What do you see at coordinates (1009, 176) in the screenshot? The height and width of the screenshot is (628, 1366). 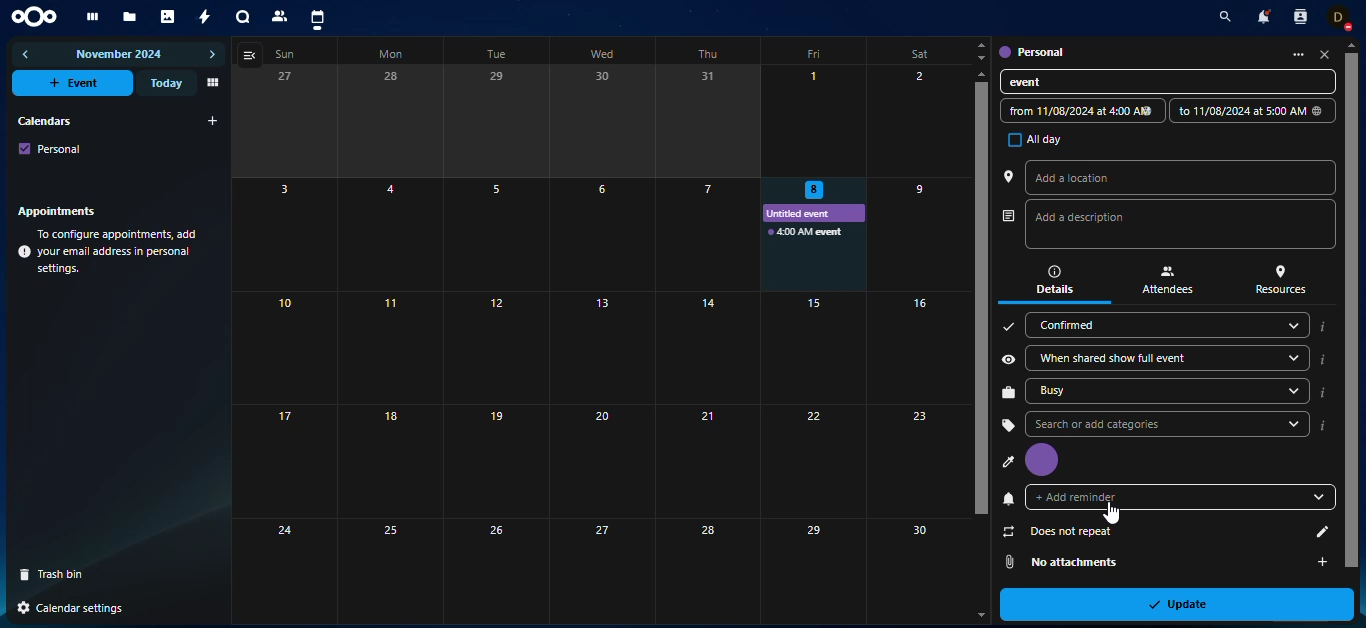 I see `location` at bounding box center [1009, 176].